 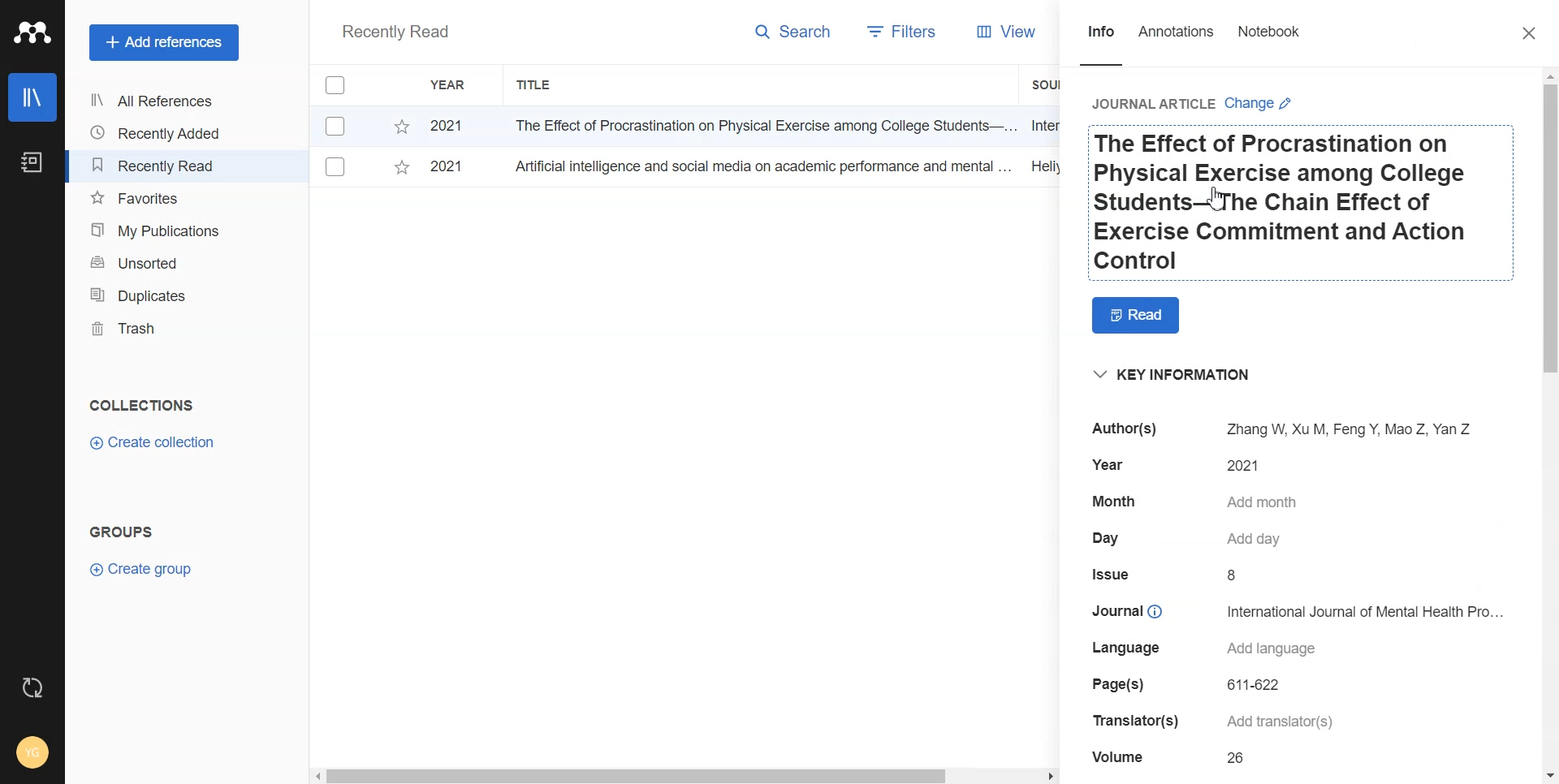 I want to click on Recently Read, so click(x=395, y=33).